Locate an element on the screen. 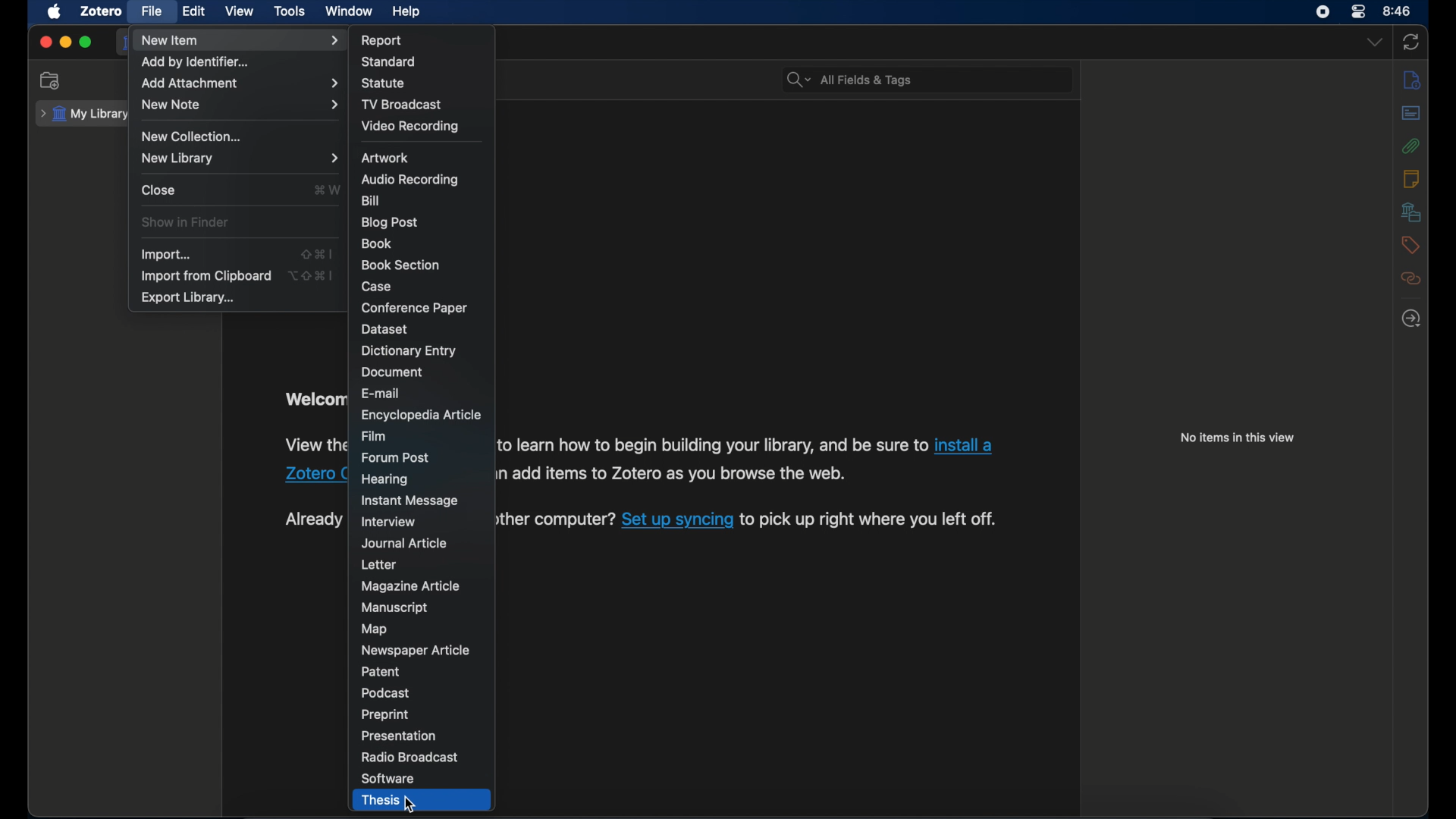  manuscript is located at coordinates (394, 607).